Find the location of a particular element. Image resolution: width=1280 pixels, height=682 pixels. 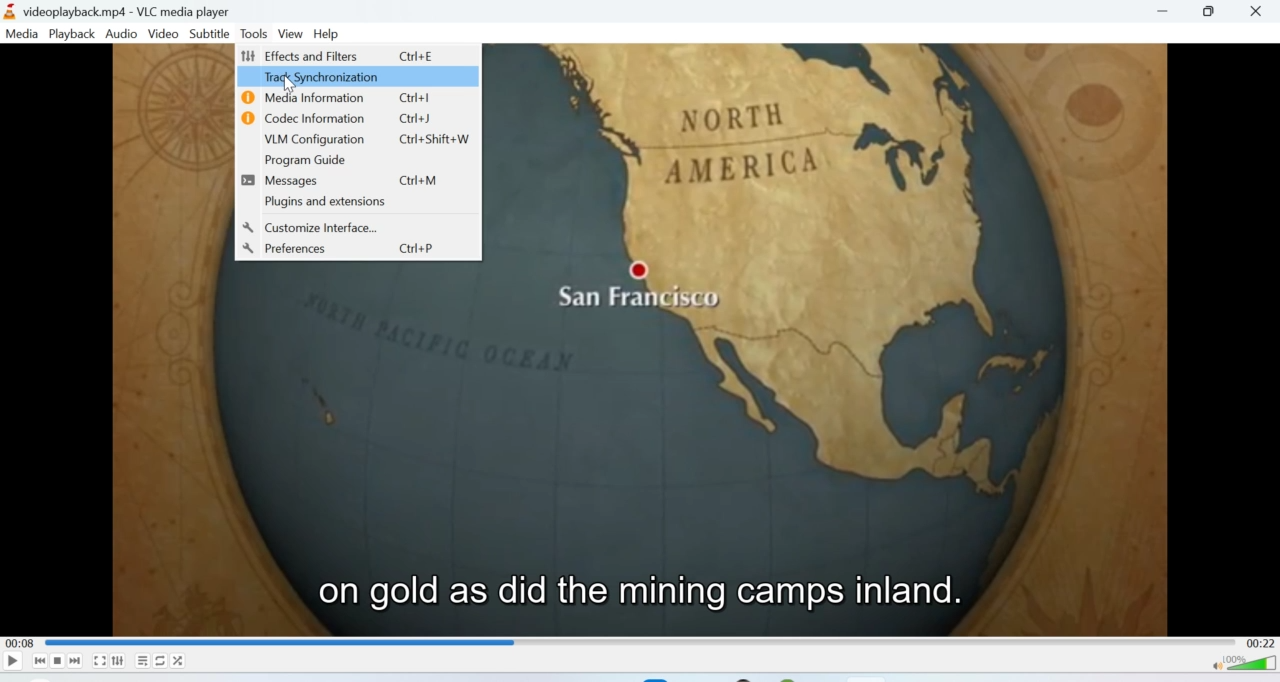

Video is located at coordinates (164, 34).